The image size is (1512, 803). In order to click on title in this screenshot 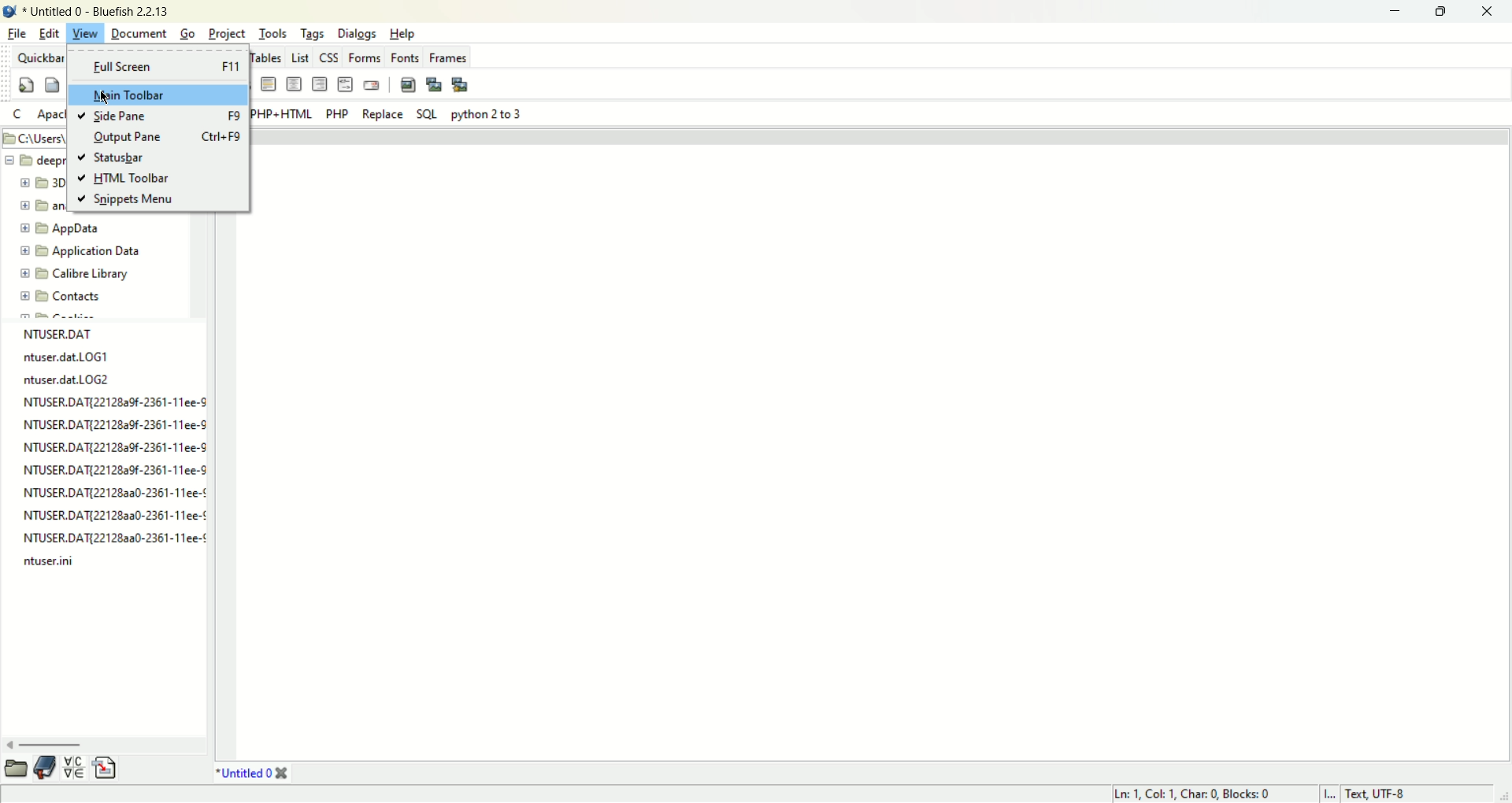, I will do `click(251, 774)`.